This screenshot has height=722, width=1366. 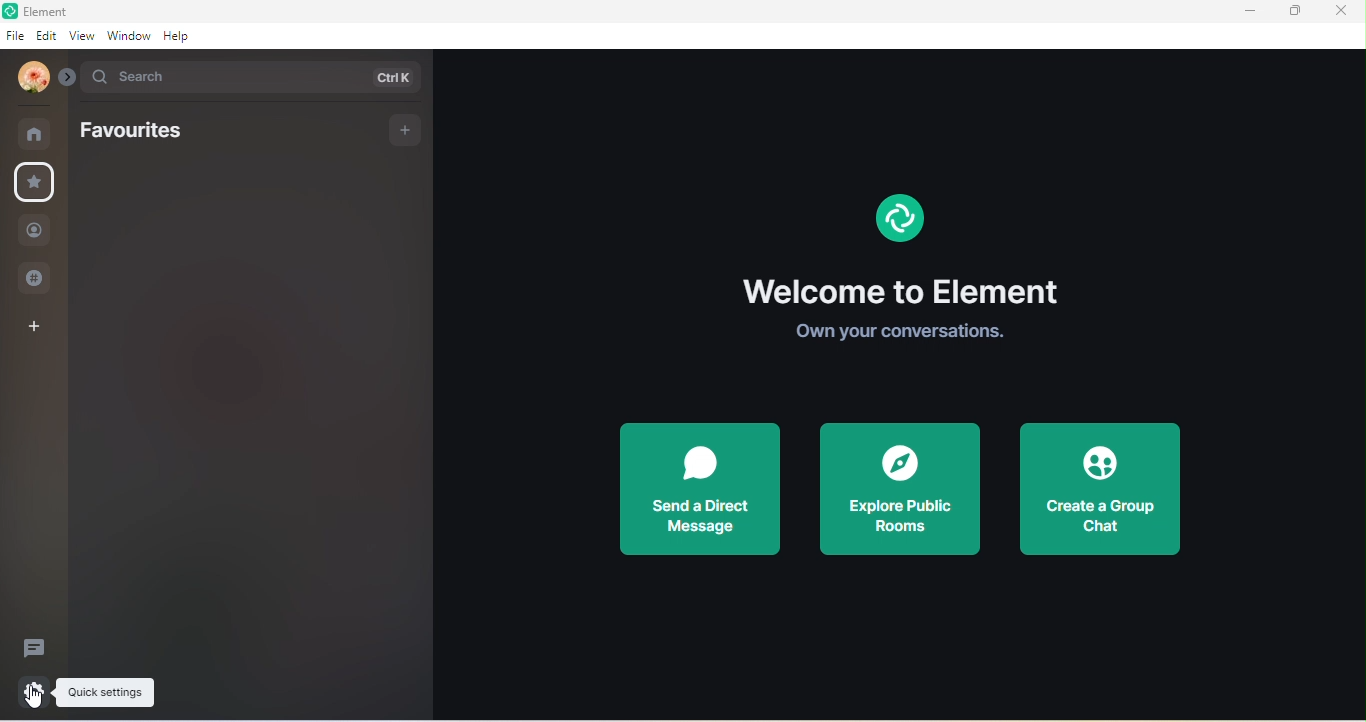 I want to click on window, so click(x=129, y=35).